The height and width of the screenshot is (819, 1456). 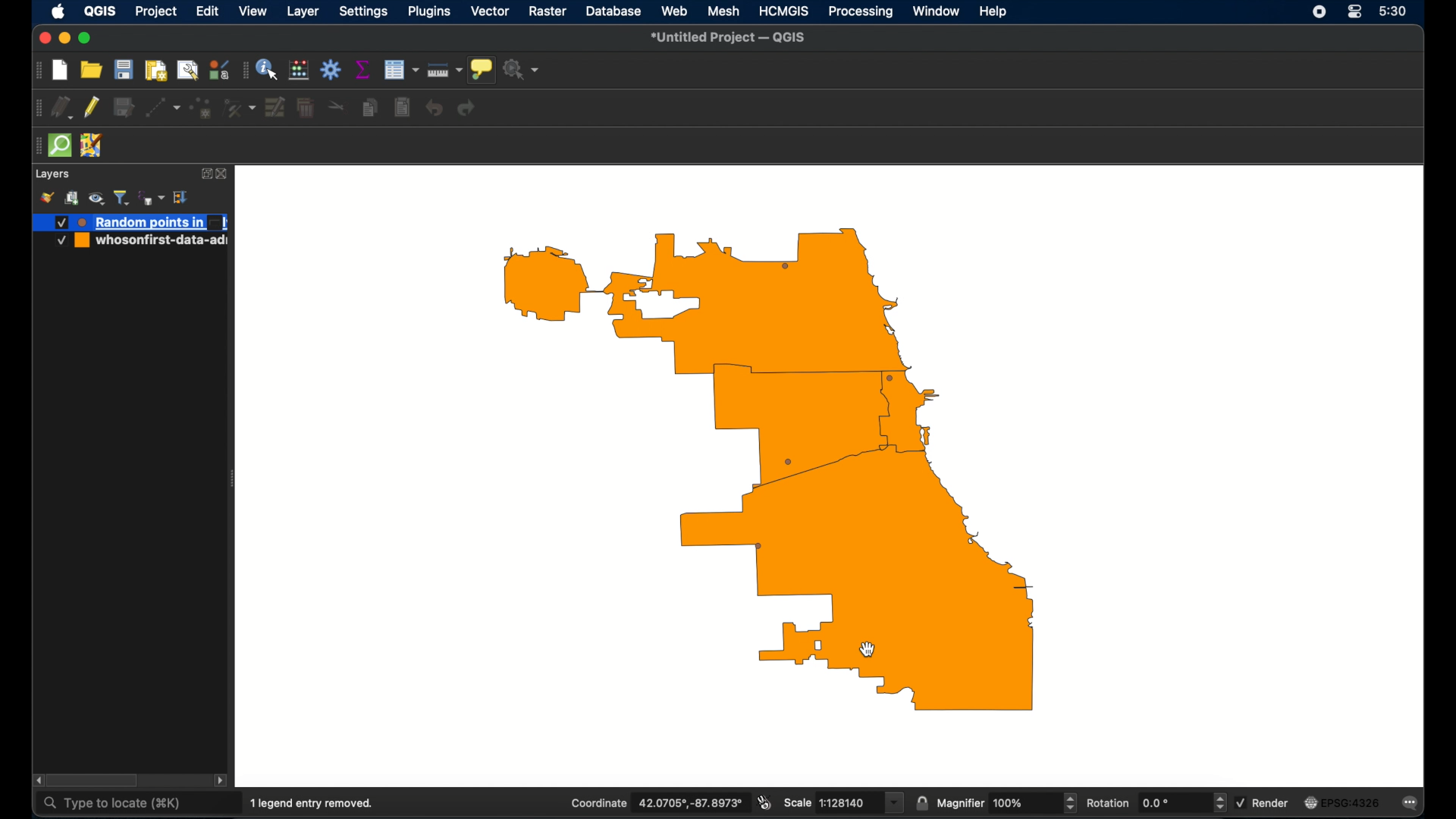 I want to click on settings, so click(x=366, y=11).